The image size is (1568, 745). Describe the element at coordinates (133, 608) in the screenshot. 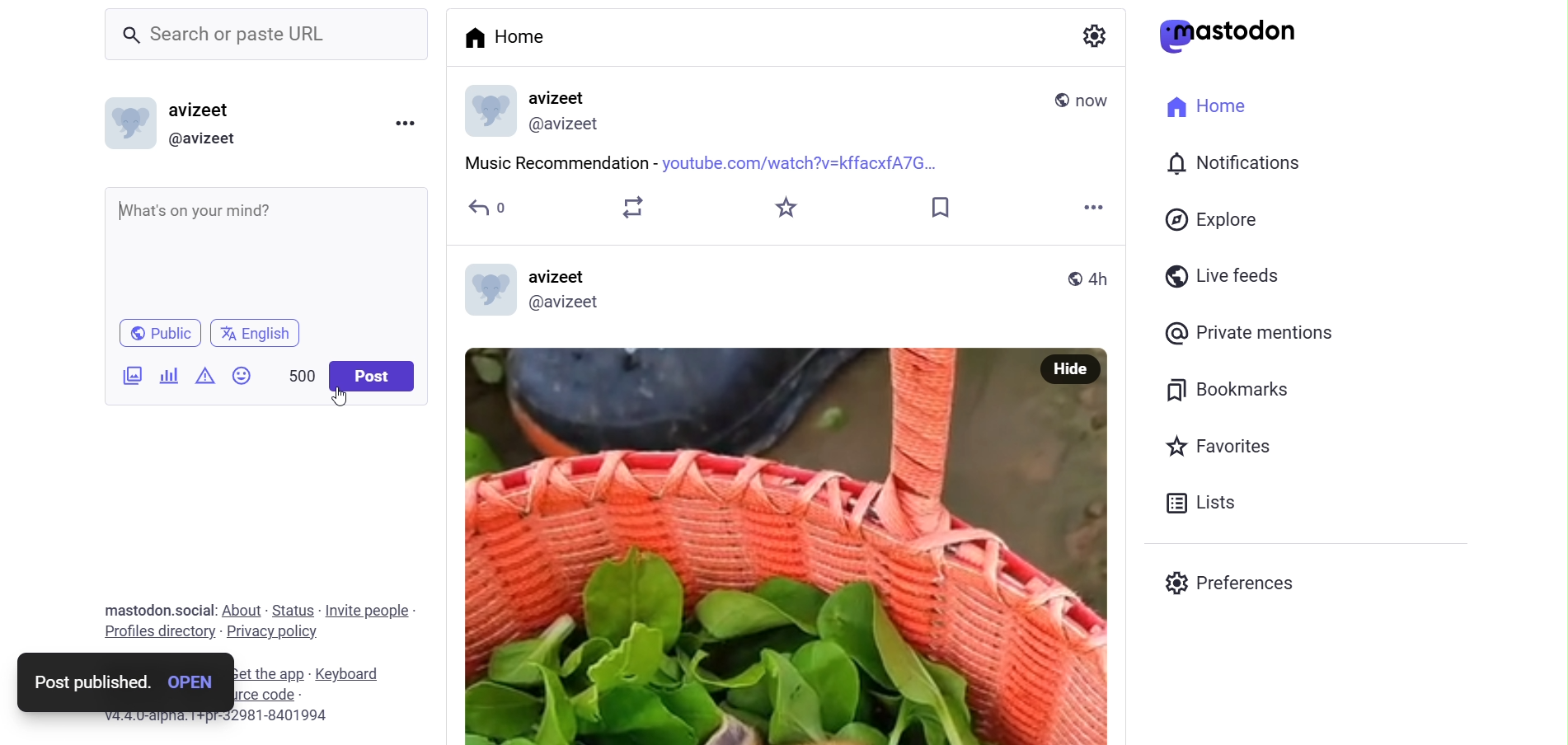

I see `mastodon` at that location.